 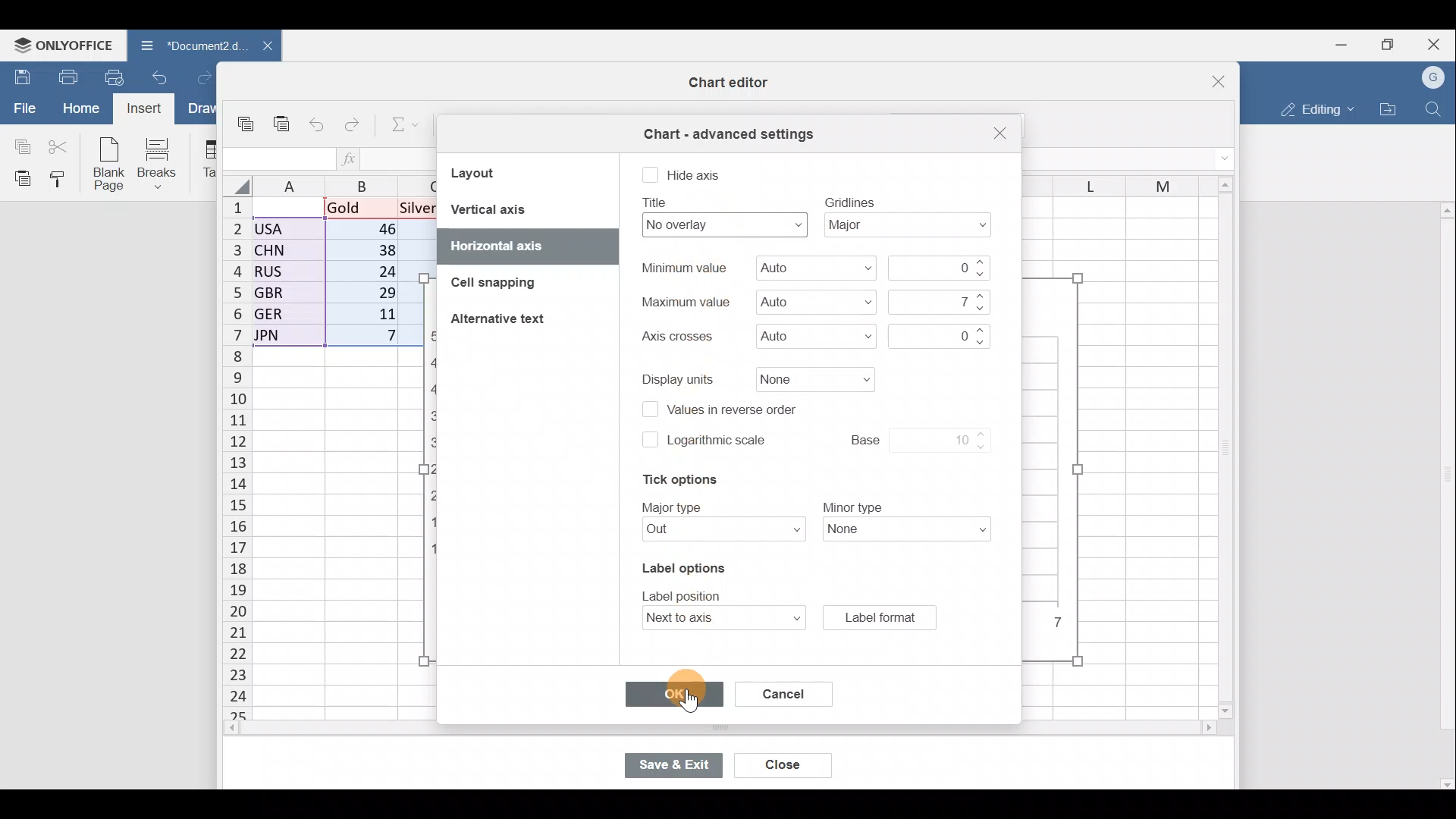 I want to click on Vertical axis, so click(x=525, y=209).